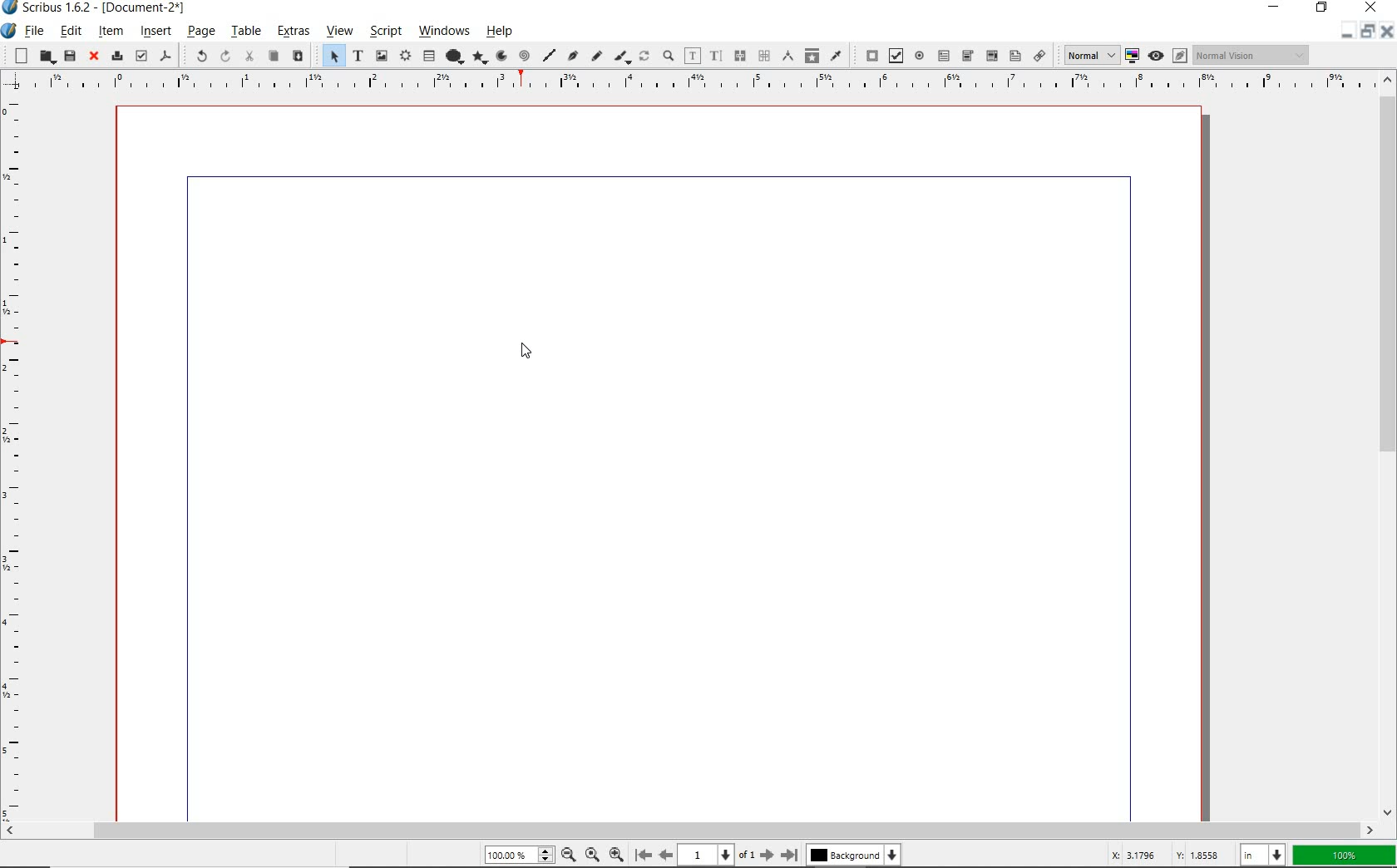  I want to click on Move to next page, so click(760, 855).